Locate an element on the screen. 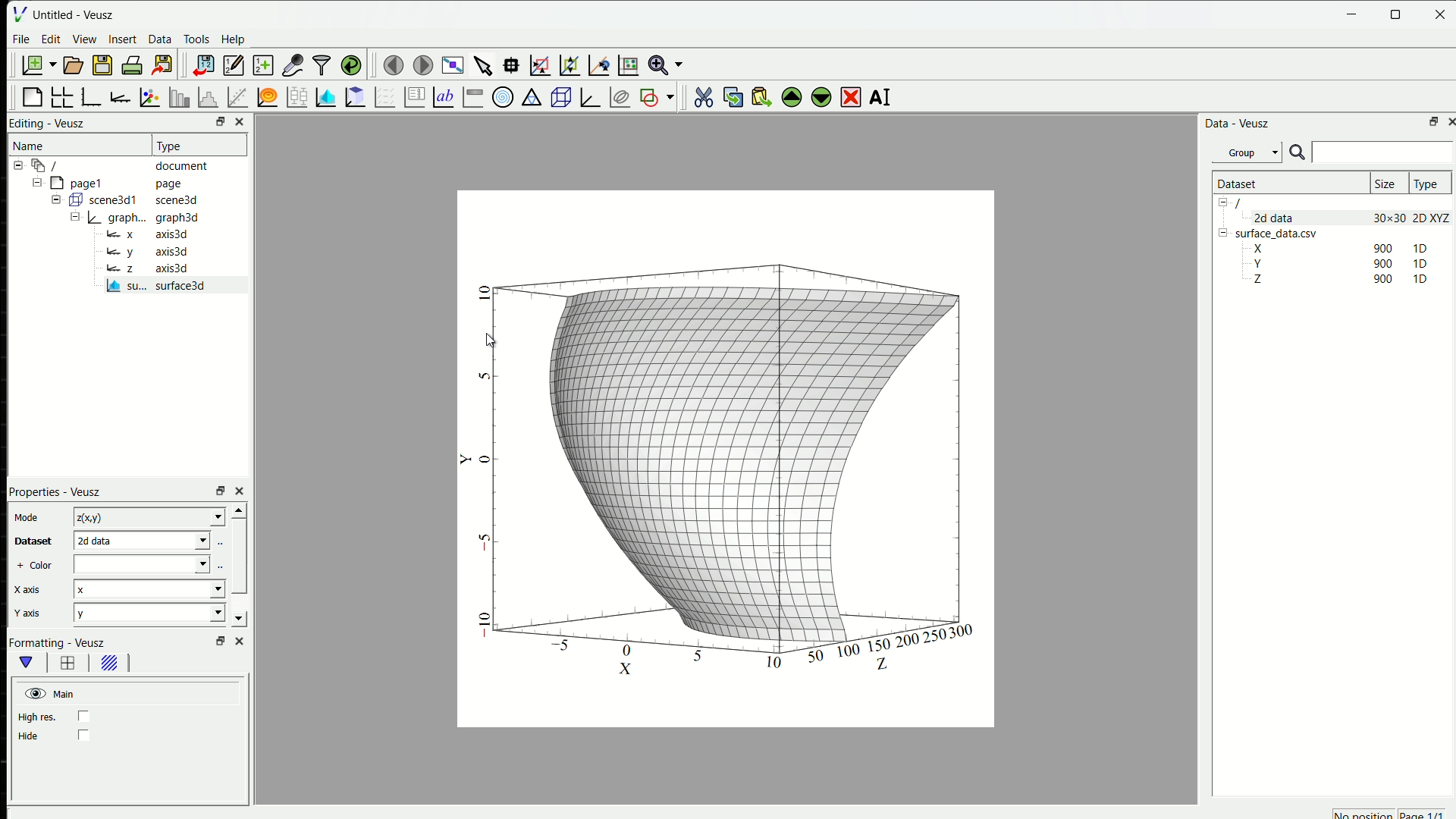 Image resolution: width=1456 pixels, height=819 pixels. Size is located at coordinates (1387, 184).